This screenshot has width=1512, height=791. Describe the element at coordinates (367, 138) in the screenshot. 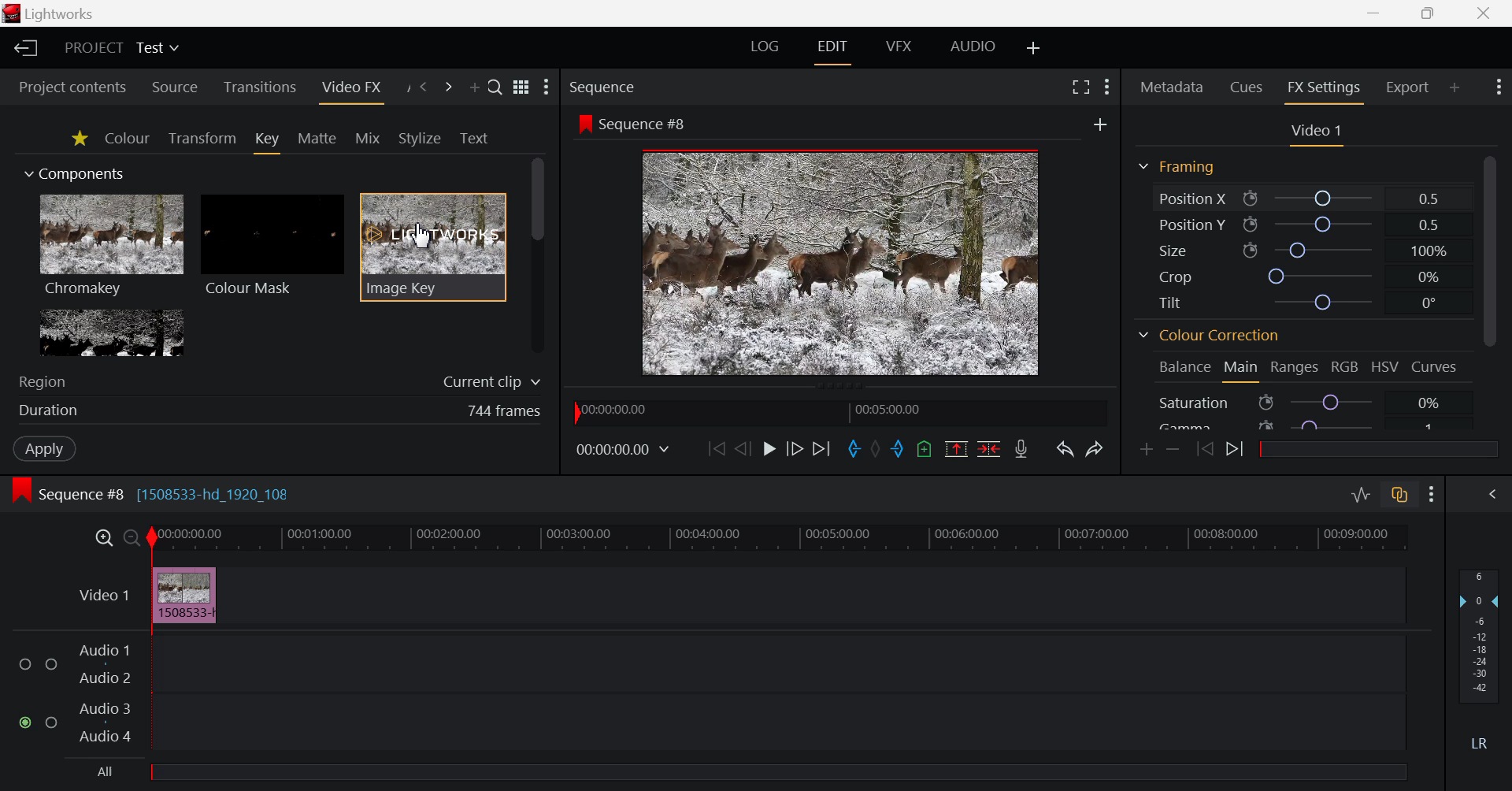

I see `Mix` at that location.